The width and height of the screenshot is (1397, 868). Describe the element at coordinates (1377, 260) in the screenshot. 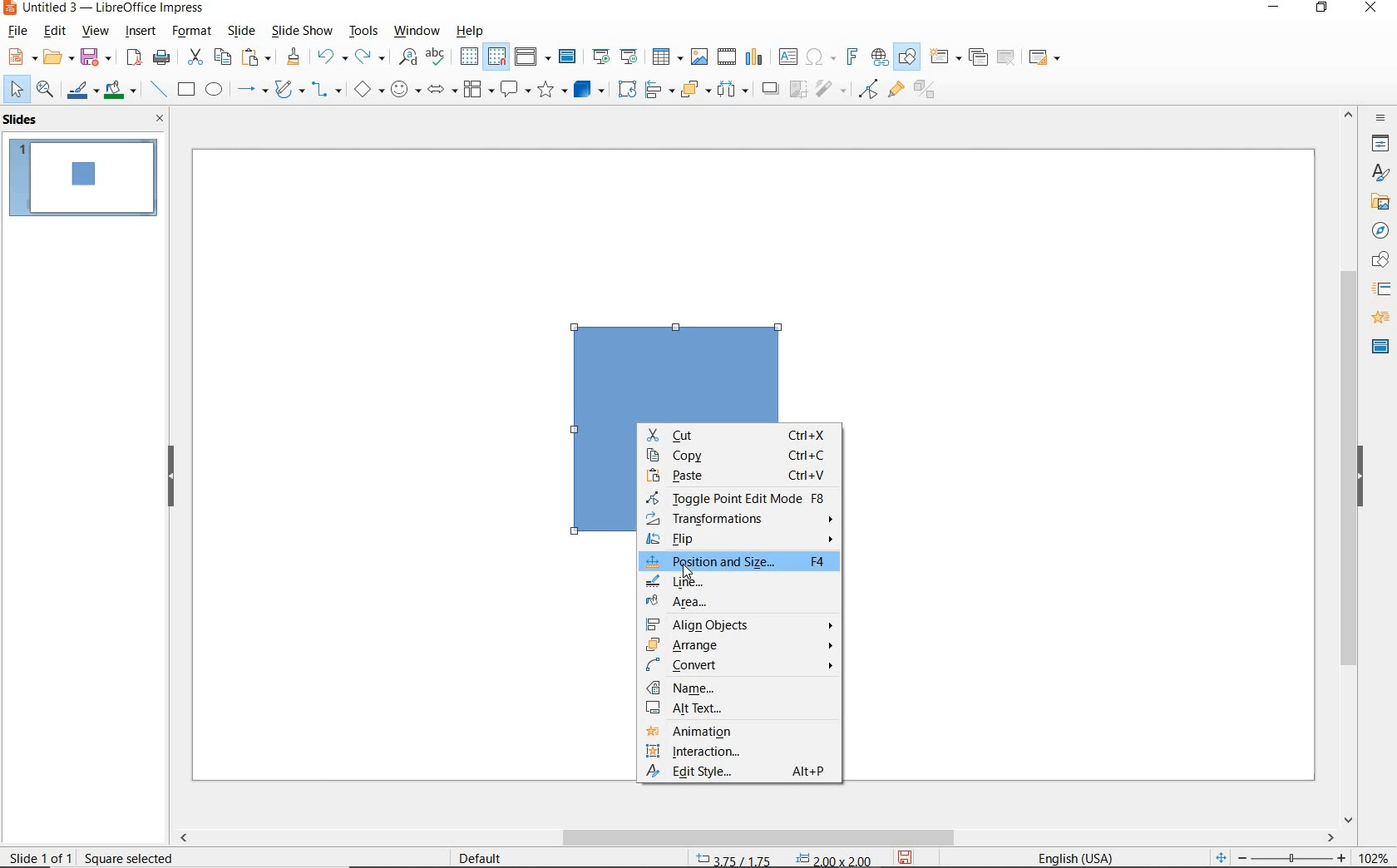

I see `shapes` at that location.